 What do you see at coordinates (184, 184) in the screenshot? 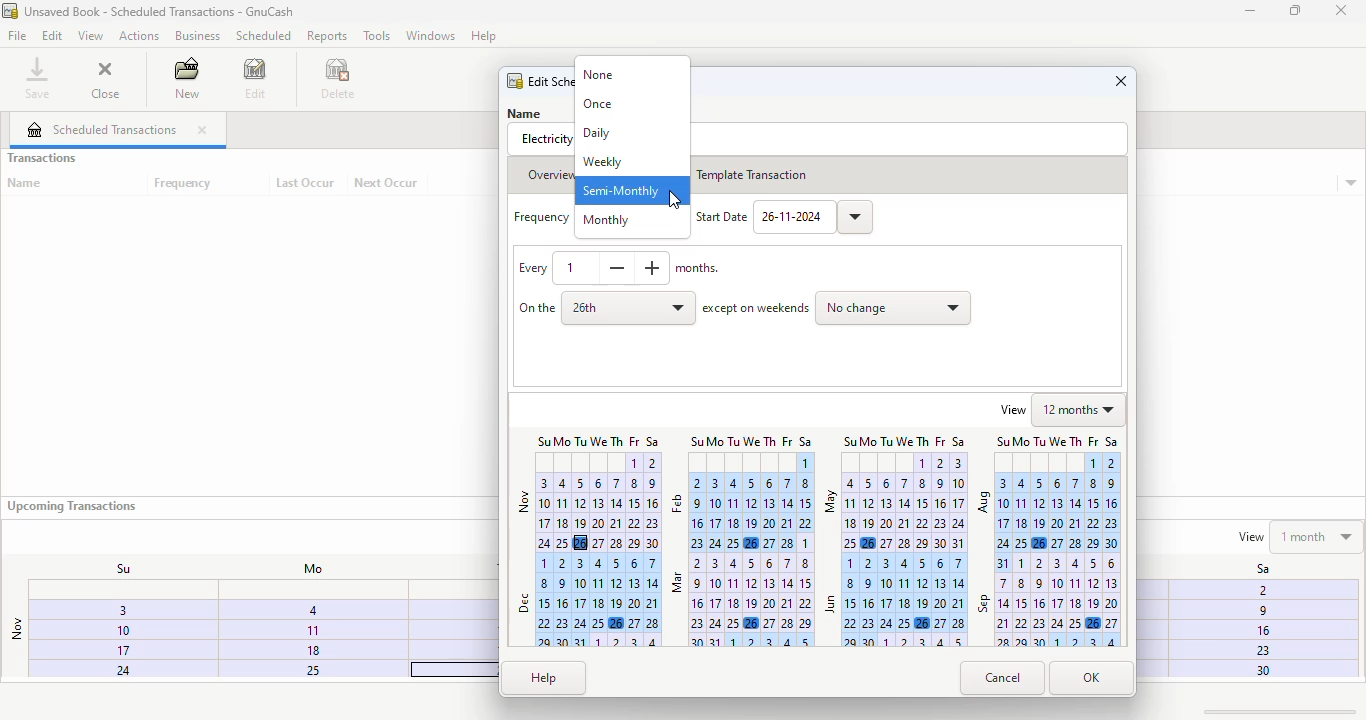
I see `frequency` at bounding box center [184, 184].